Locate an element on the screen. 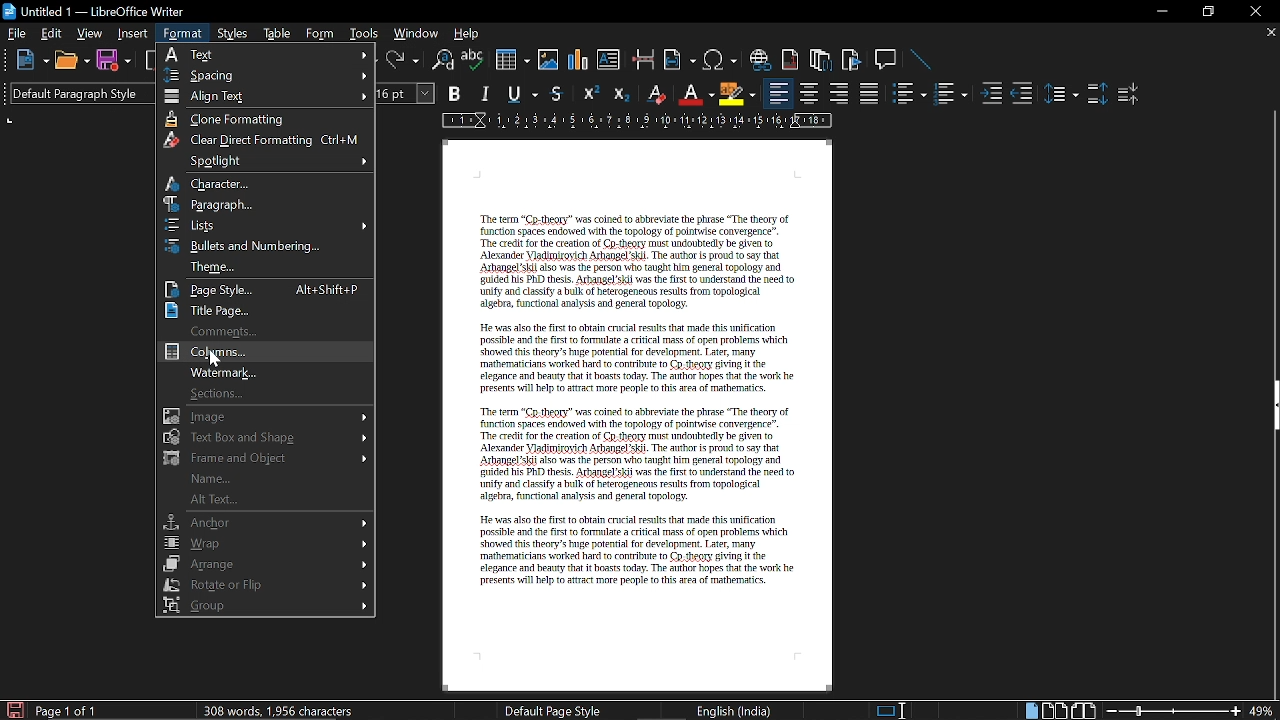 The width and height of the screenshot is (1280, 720). Align text is located at coordinates (270, 97).